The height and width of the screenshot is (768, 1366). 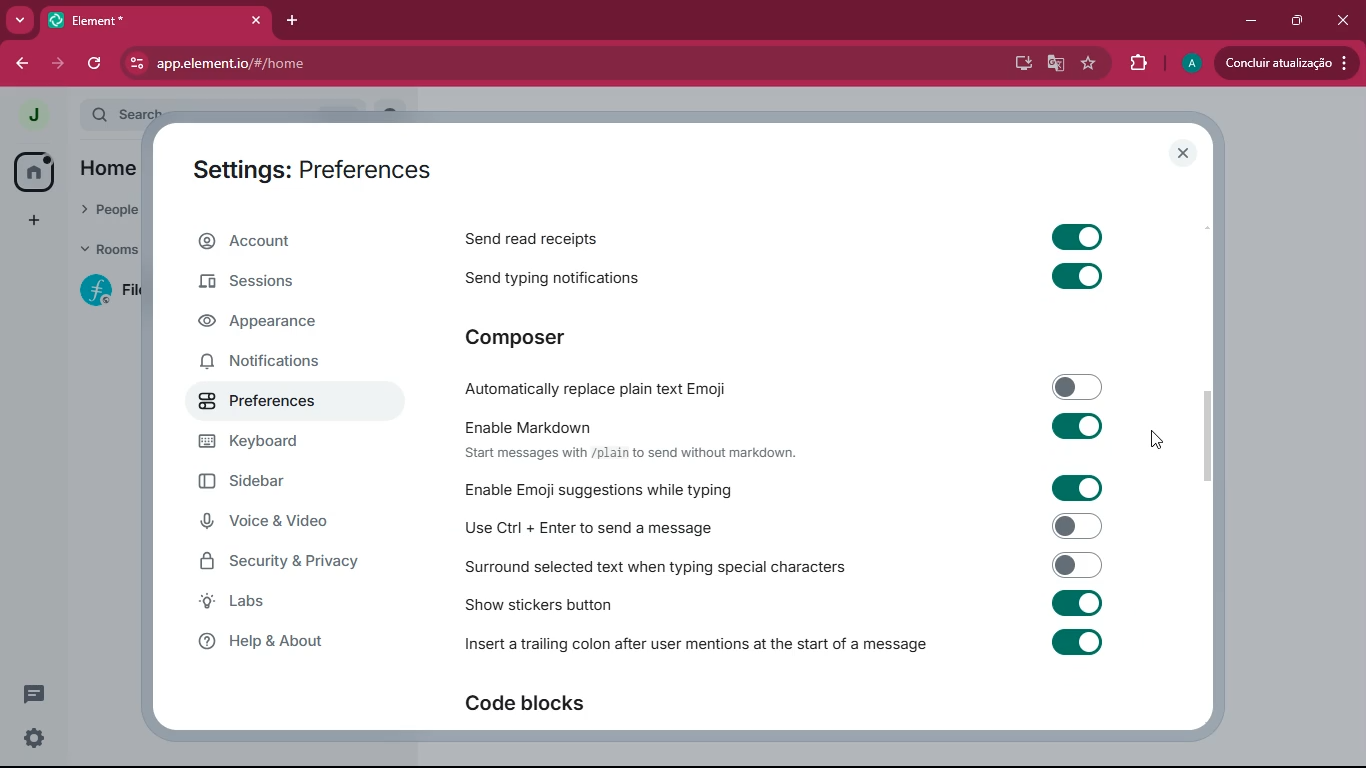 What do you see at coordinates (1070, 563) in the screenshot?
I see `toggle on or off` at bounding box center [1070, 563].